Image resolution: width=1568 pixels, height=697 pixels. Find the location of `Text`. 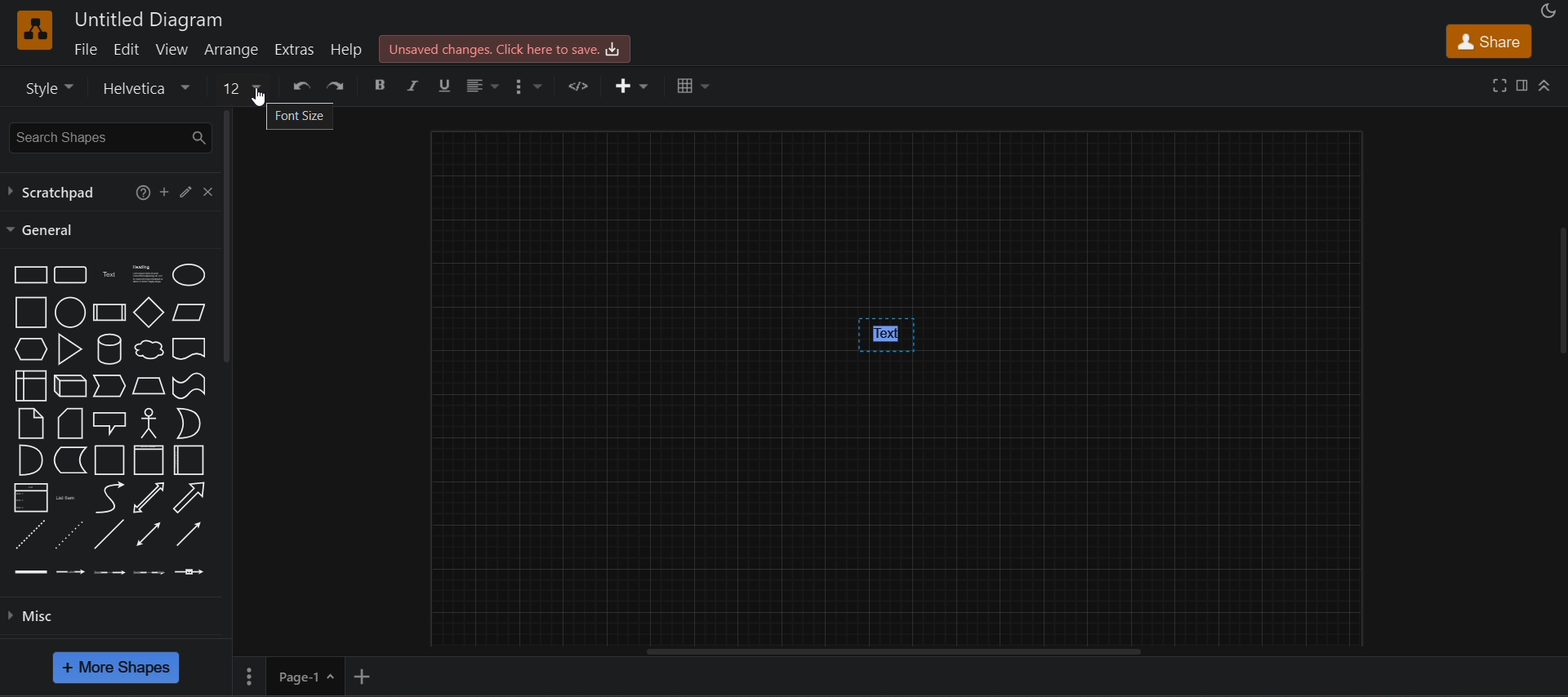

Text is located at coordinates (109, 275).